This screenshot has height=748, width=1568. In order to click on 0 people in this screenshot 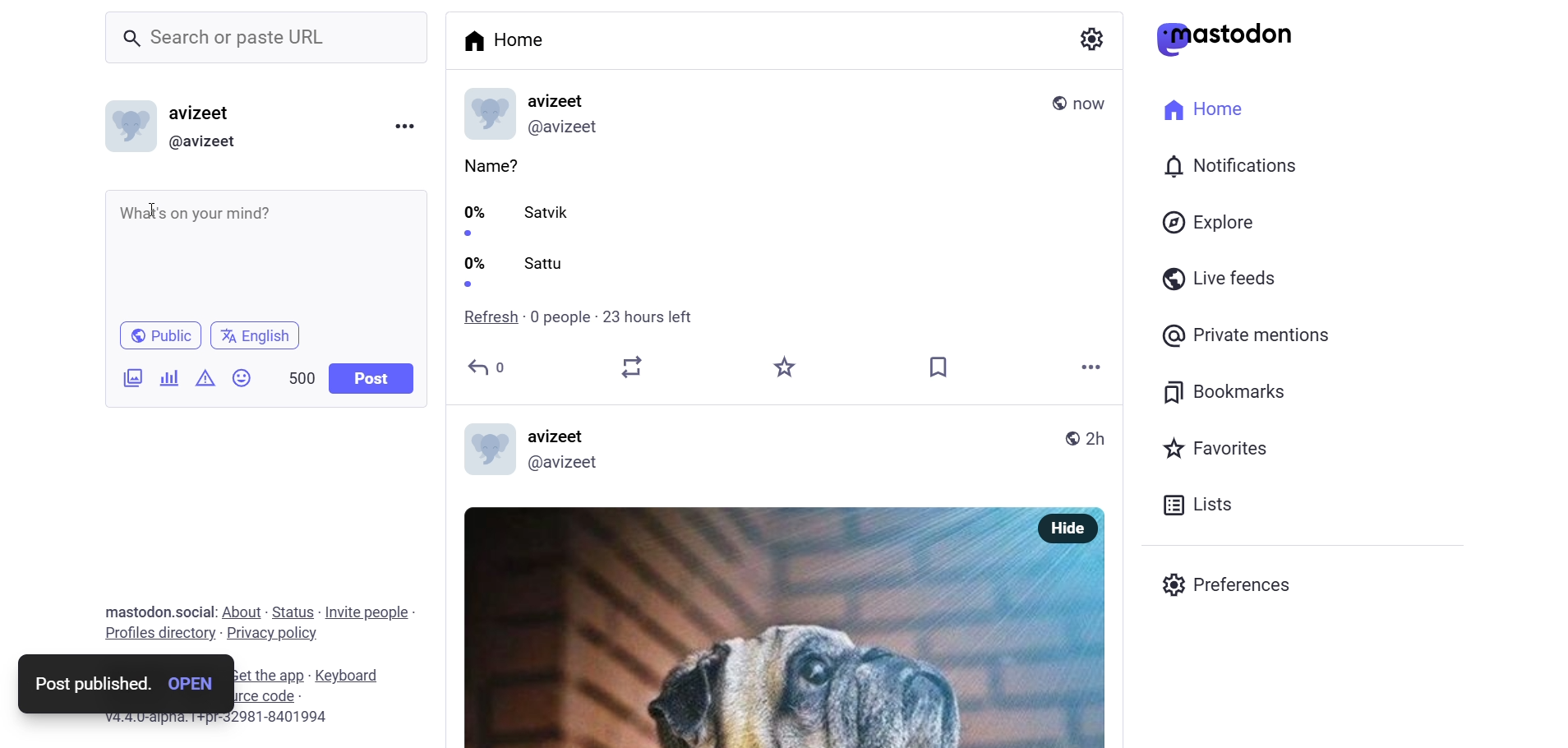, I will do `click(556, 318)`.